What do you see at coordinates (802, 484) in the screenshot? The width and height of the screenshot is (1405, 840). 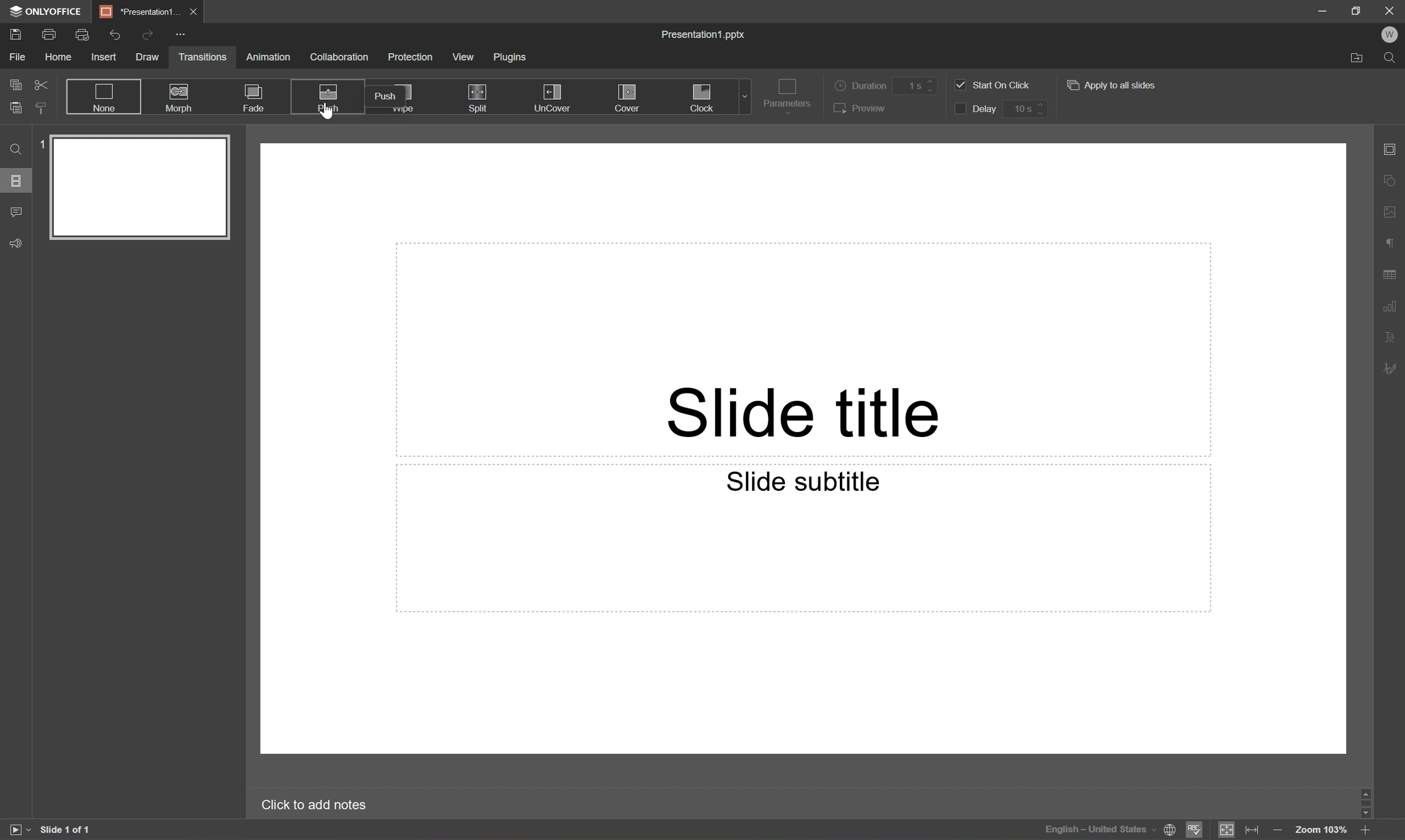 I see `Slide subtitle` at bounding box center [802, 484].